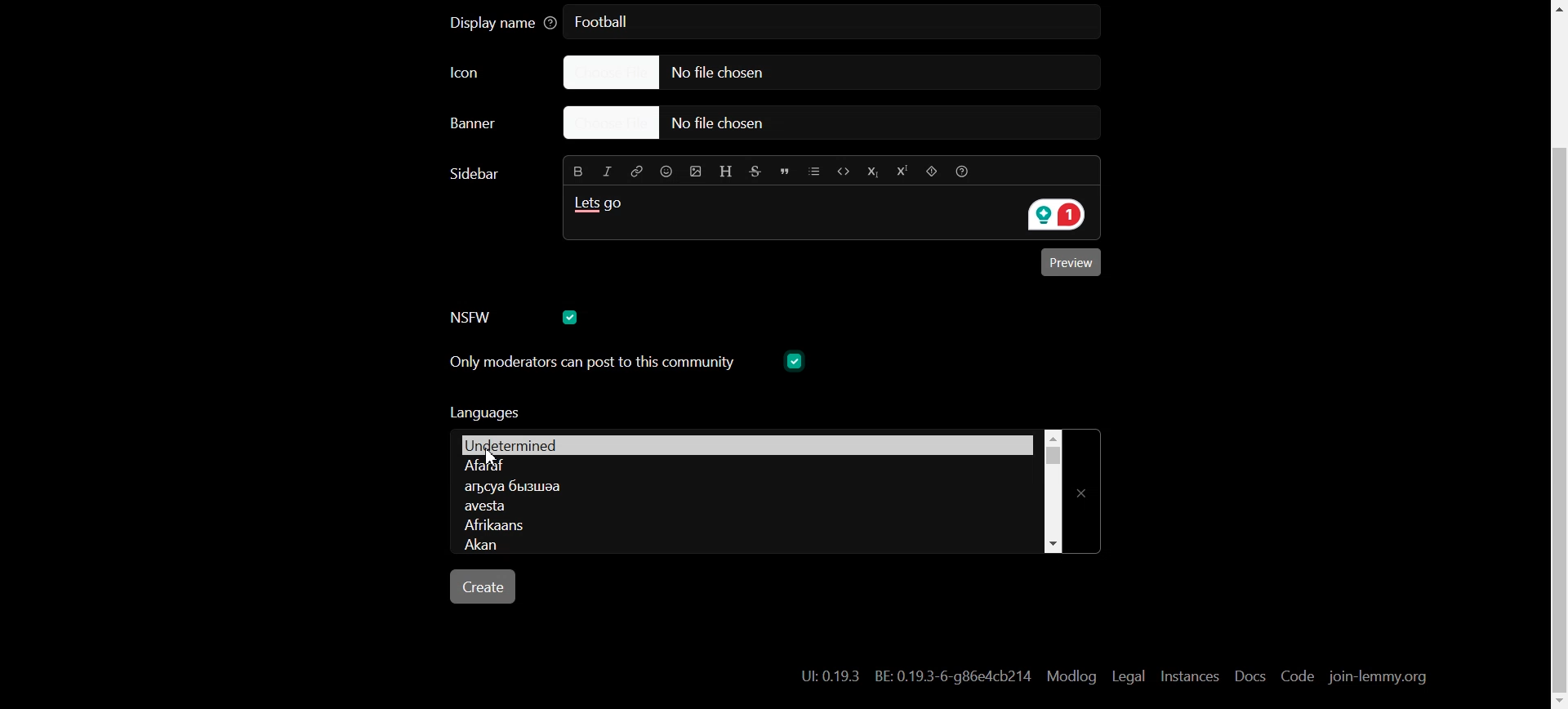 The height and width of the screenshot is (709, 1568). Describe the element at coordinates (693, 170) in the screenshot. I see `Insert Picture` at that location.